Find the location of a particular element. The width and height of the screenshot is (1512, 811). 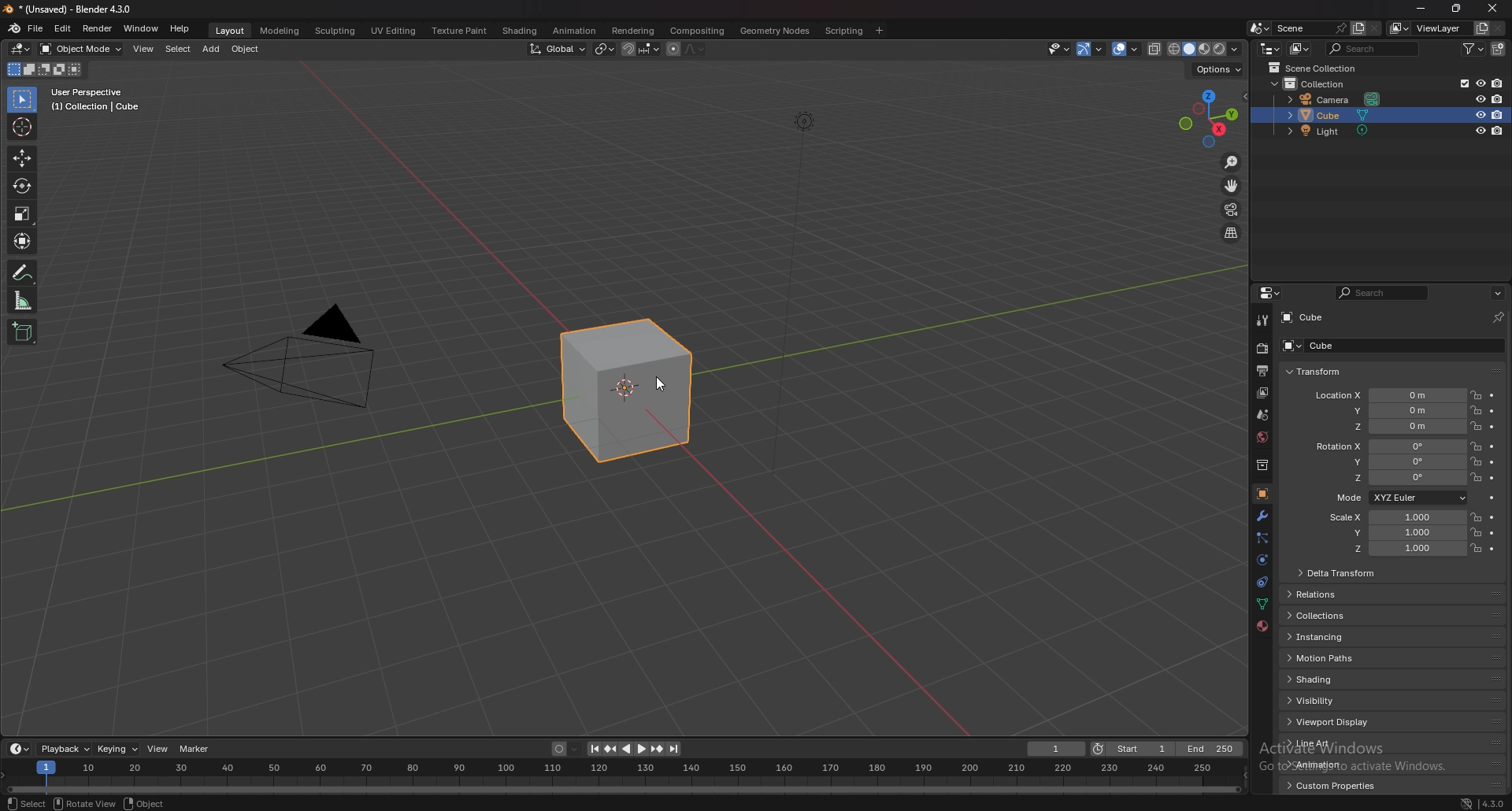

render is located at coordinates (97, 28).